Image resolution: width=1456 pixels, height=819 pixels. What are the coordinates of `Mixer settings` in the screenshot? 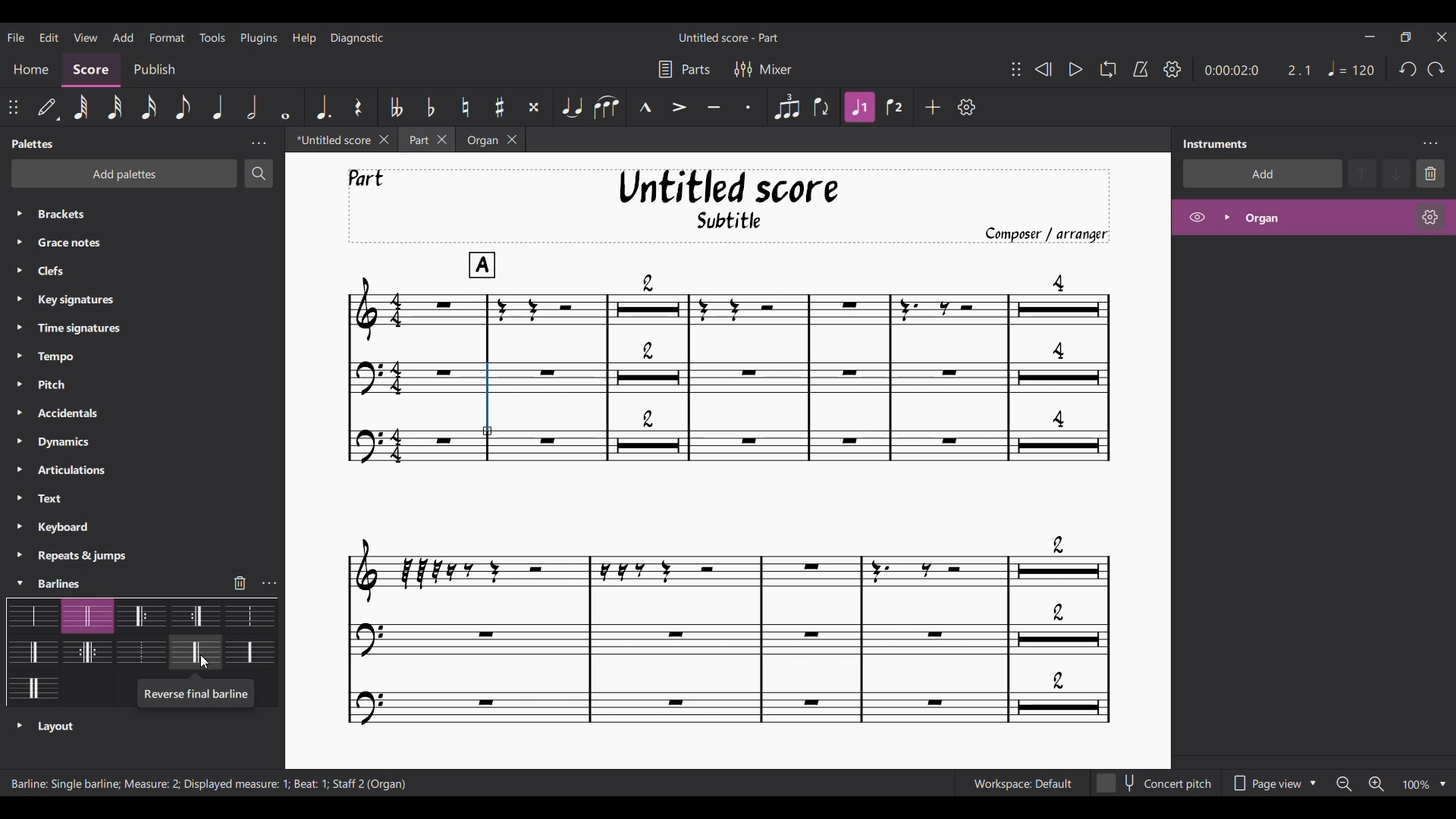 It's located at (763, 70).